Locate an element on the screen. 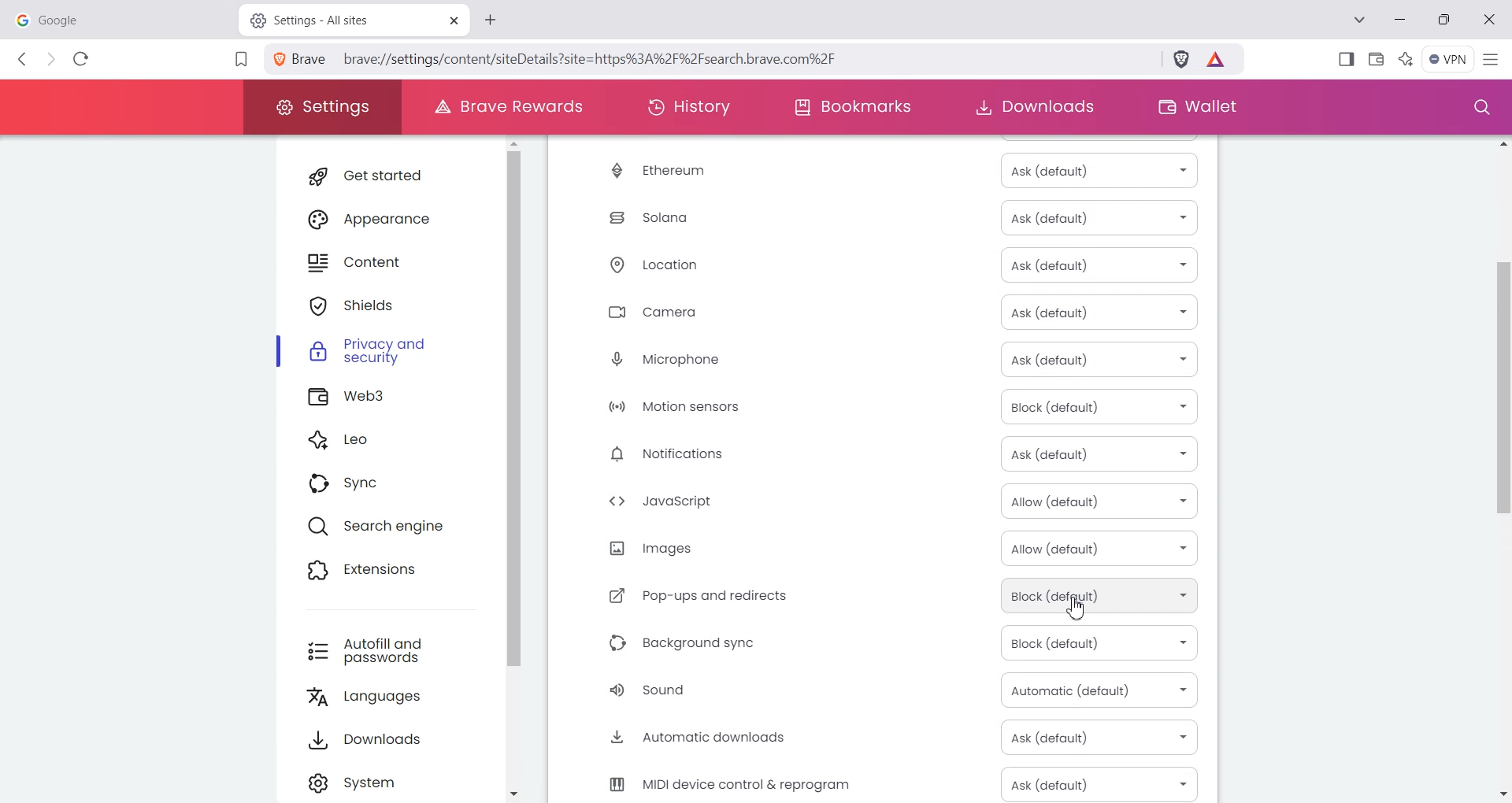 The width and height of the screenshot is (1512, 803). Downloads is located at coordinates (396, 743).